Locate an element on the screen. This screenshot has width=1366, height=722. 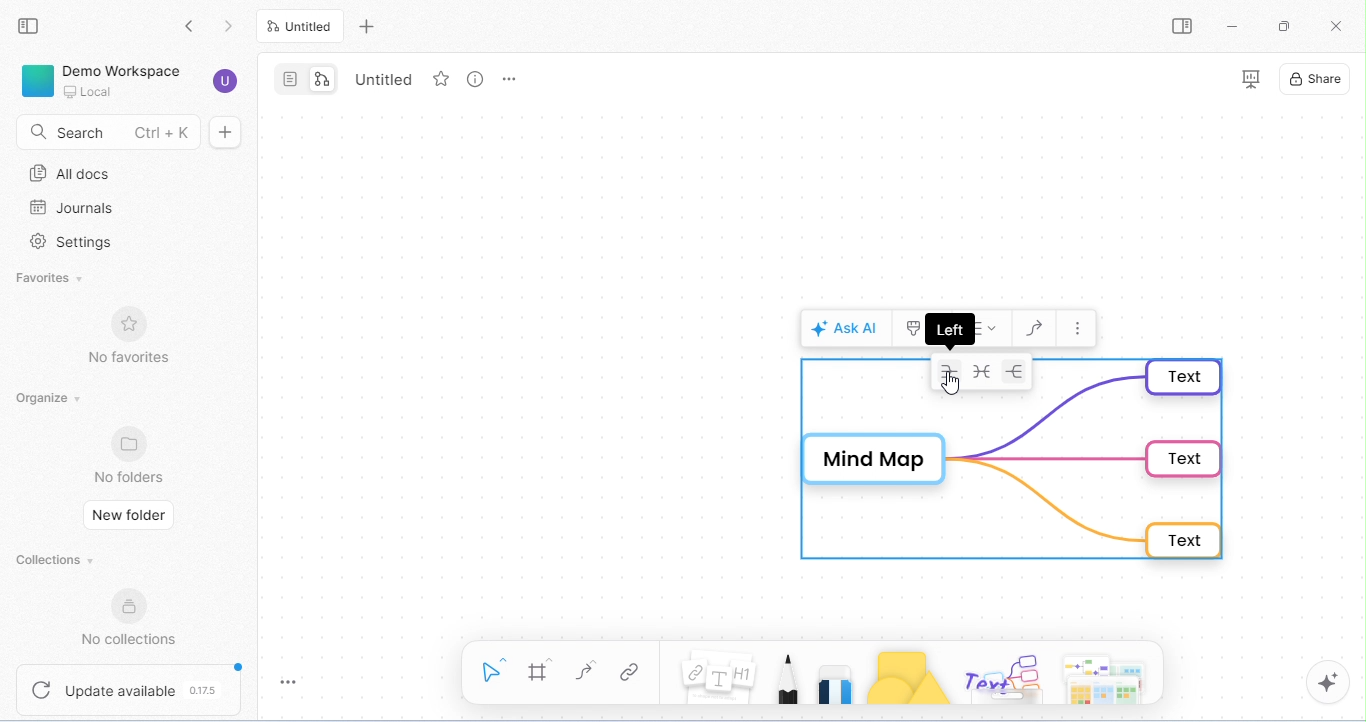
journals is located at coordinates (73, 208).